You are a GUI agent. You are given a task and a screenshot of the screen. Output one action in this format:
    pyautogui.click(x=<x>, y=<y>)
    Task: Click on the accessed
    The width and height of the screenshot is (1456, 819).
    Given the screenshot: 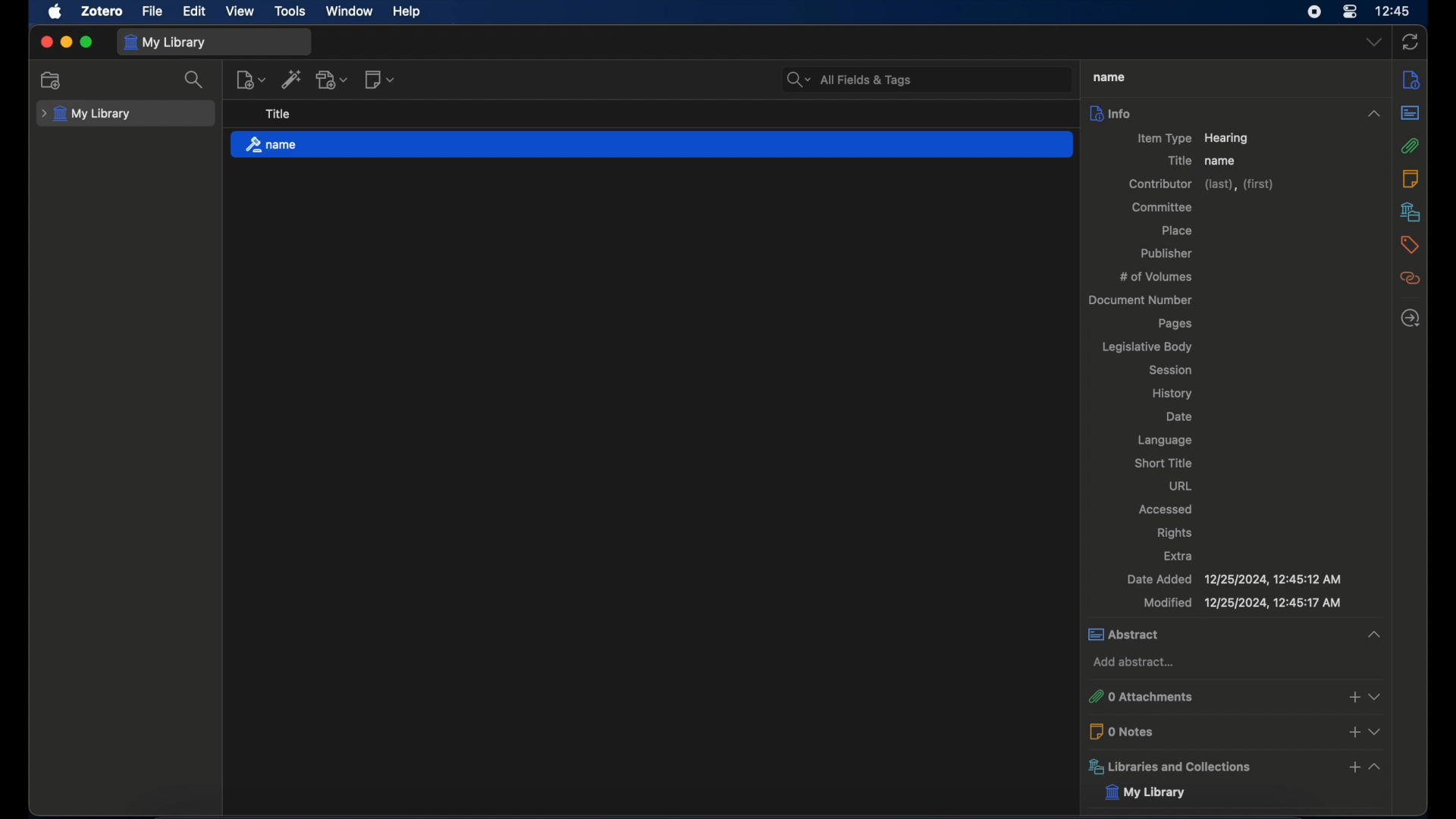 What is the action you would take?
    pyautogui.click(x=1166, y=510)
    